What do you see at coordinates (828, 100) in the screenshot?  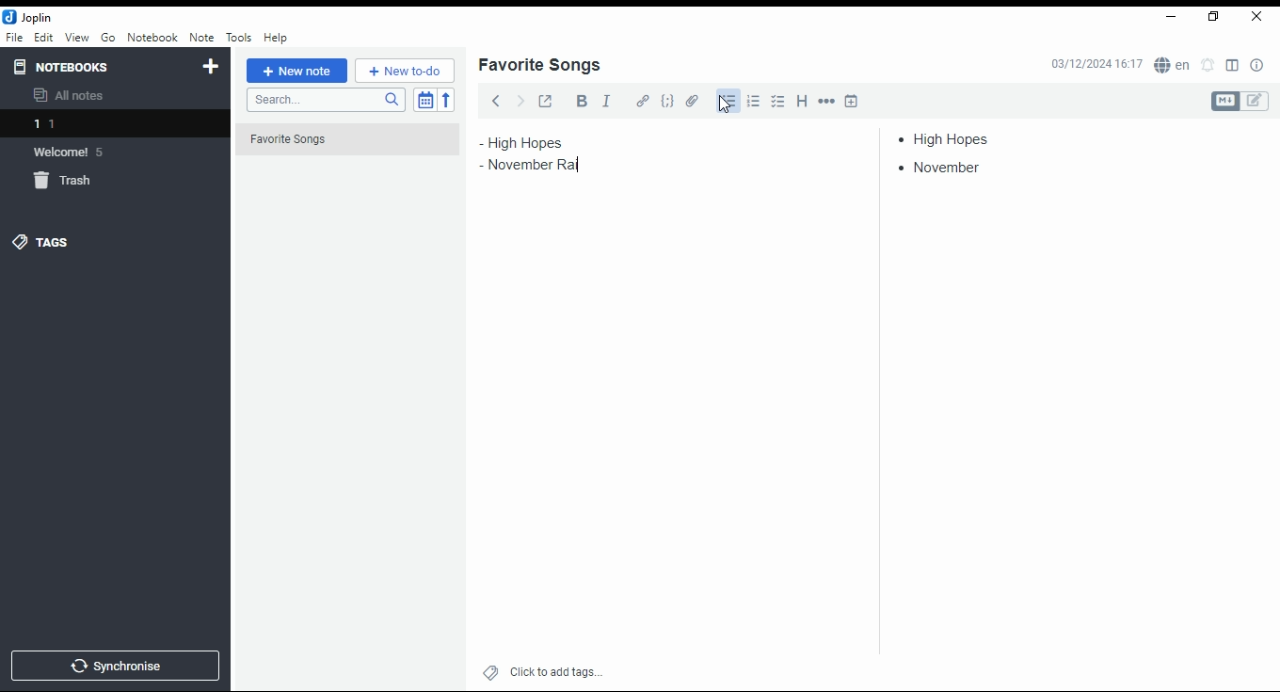 I see `horizontal rule` at bounding box center [828, 100].